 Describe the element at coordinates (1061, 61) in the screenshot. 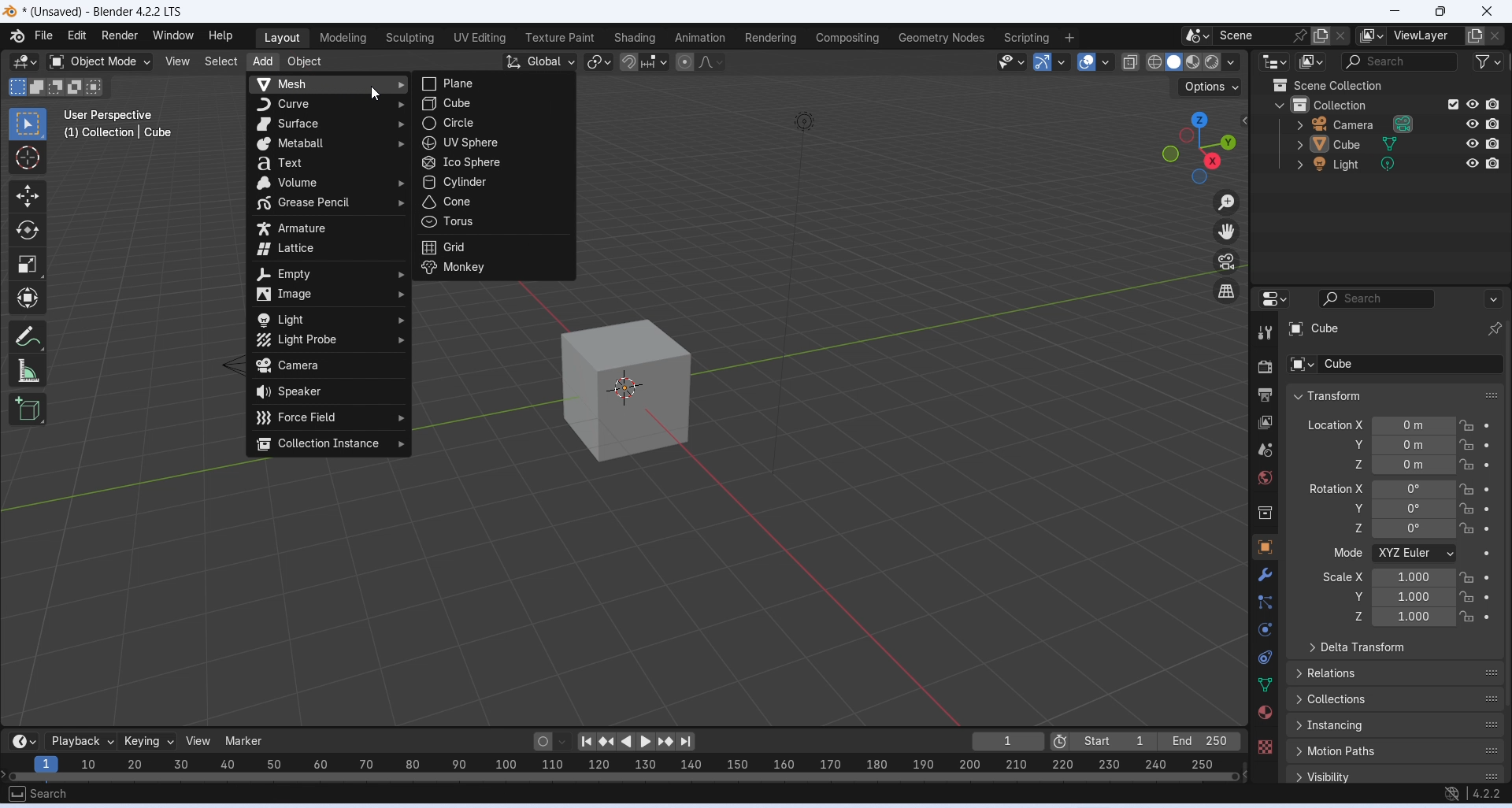

I see `gizmos` at that location.